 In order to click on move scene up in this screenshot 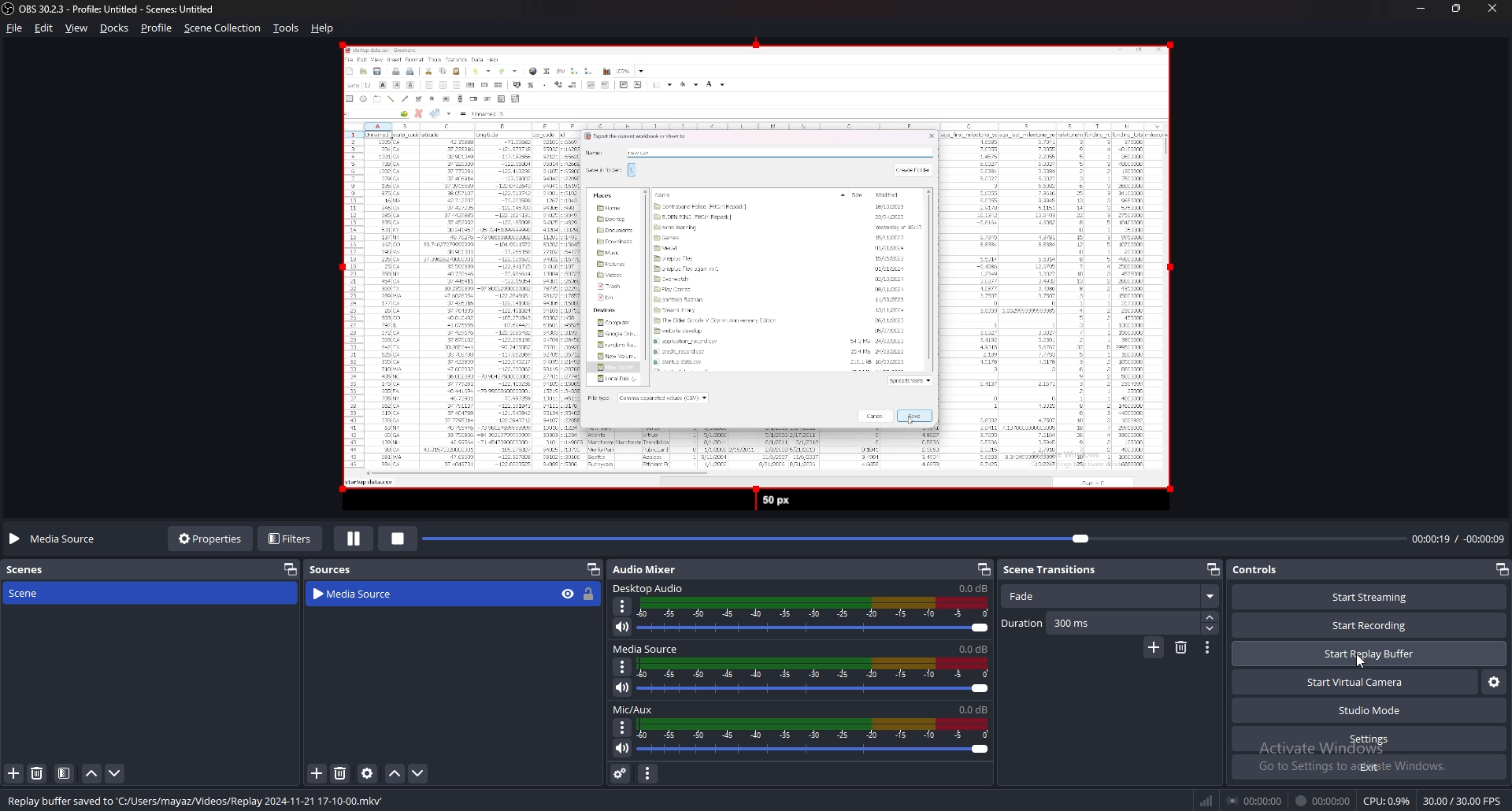, I will do `click(92, 774)`.